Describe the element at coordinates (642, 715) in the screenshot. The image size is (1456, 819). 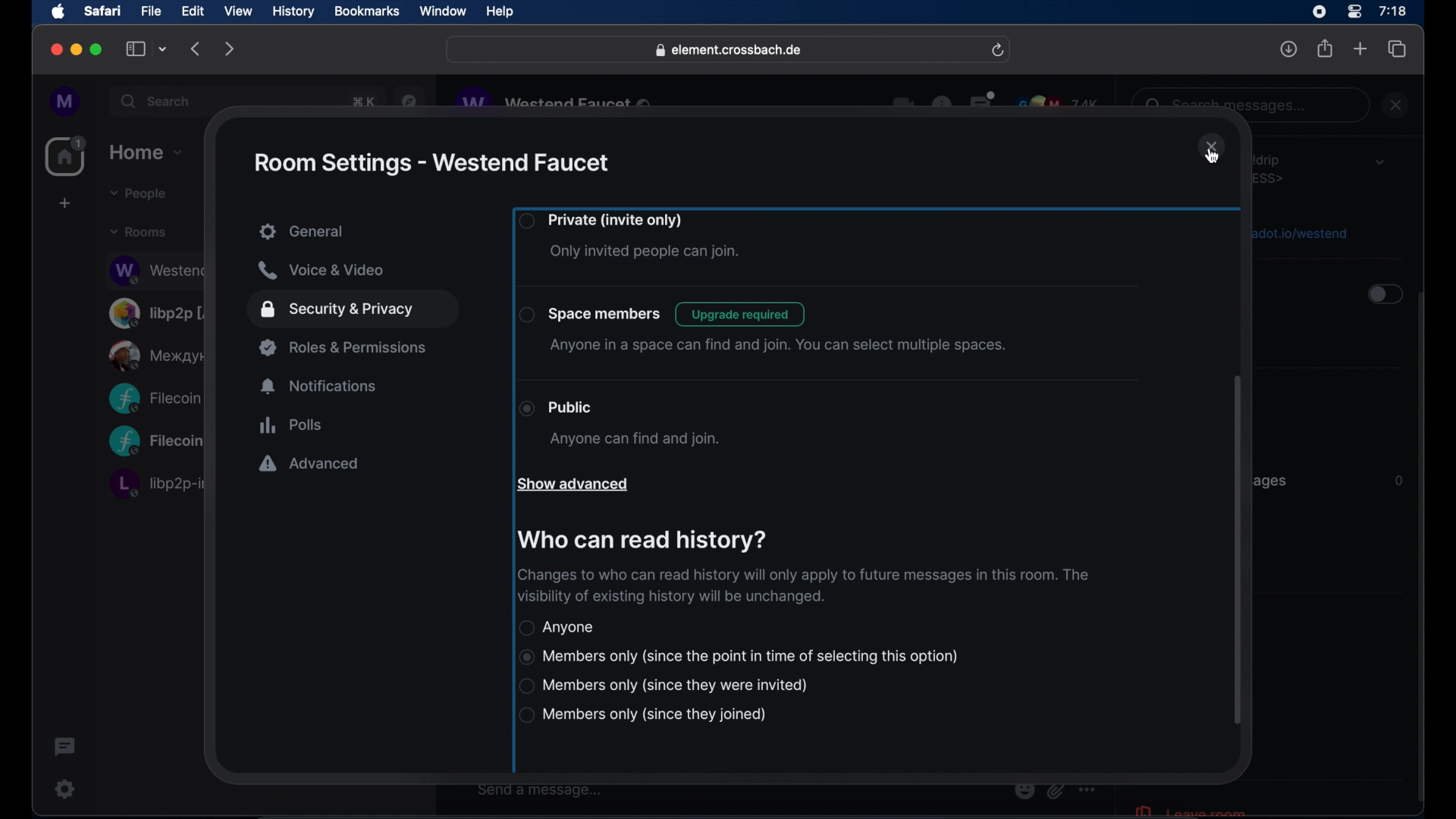
I see `member radio button` at that location.